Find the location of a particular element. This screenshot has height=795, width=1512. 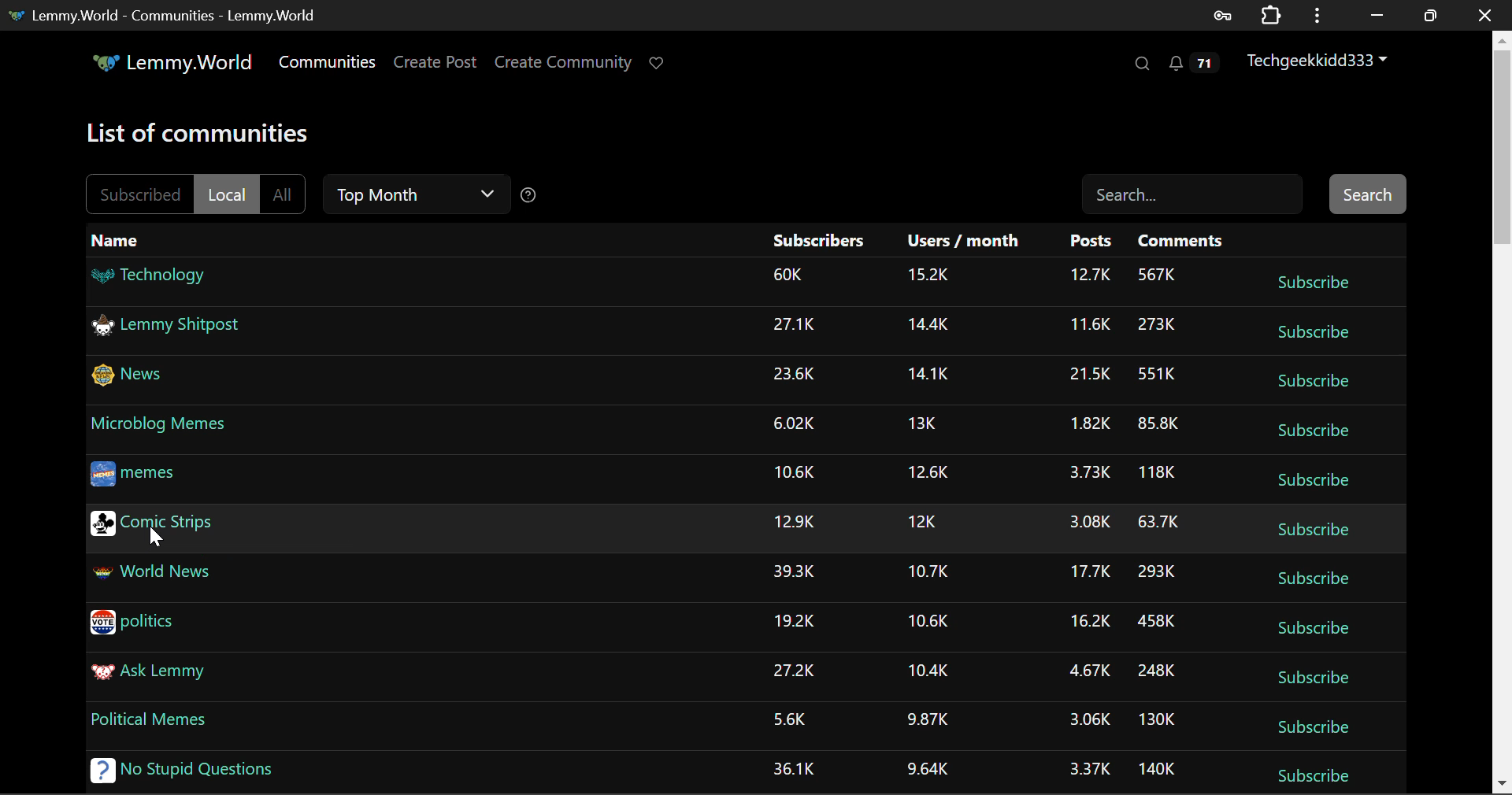

12.9K is located at coordinates (793, 523).